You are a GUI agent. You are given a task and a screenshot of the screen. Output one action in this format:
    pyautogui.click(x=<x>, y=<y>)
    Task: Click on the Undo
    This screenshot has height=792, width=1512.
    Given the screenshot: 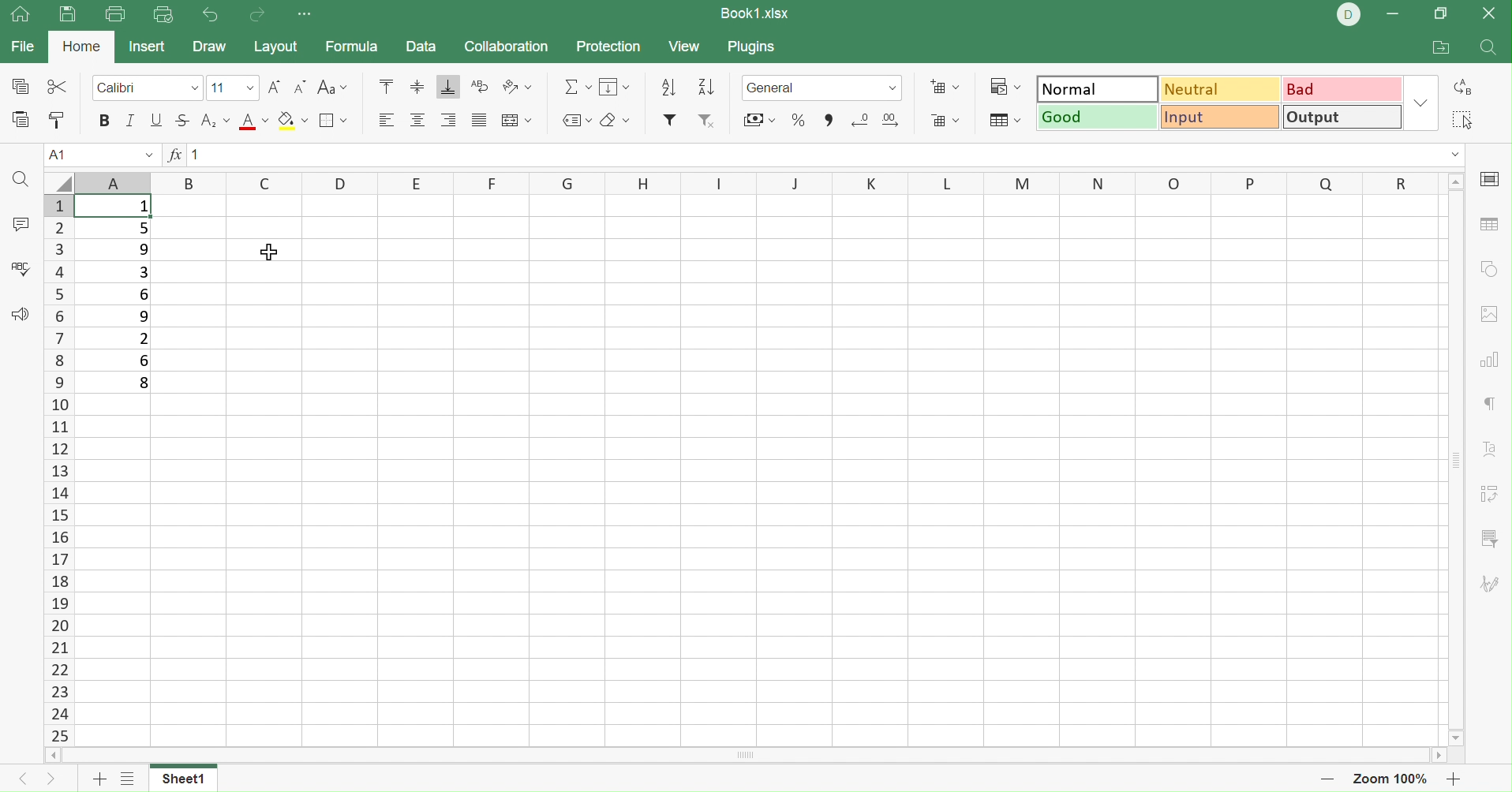 What is the action you would take?
    pyautogui.click(x=210, y=13)
    